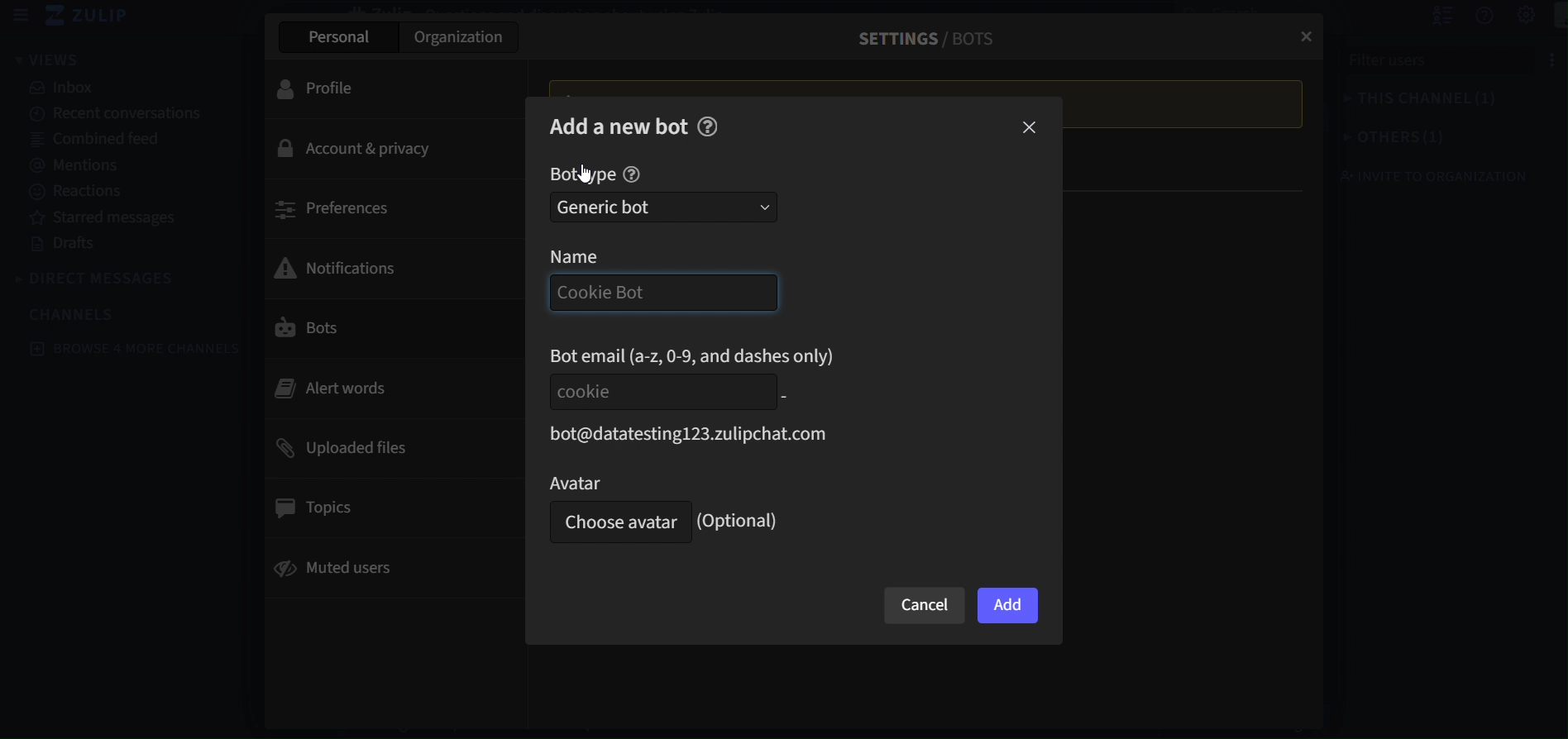  What do you see at coordinates (1008, 607) in the screenshot?
I see `add` at bounding box center [1008, 607].